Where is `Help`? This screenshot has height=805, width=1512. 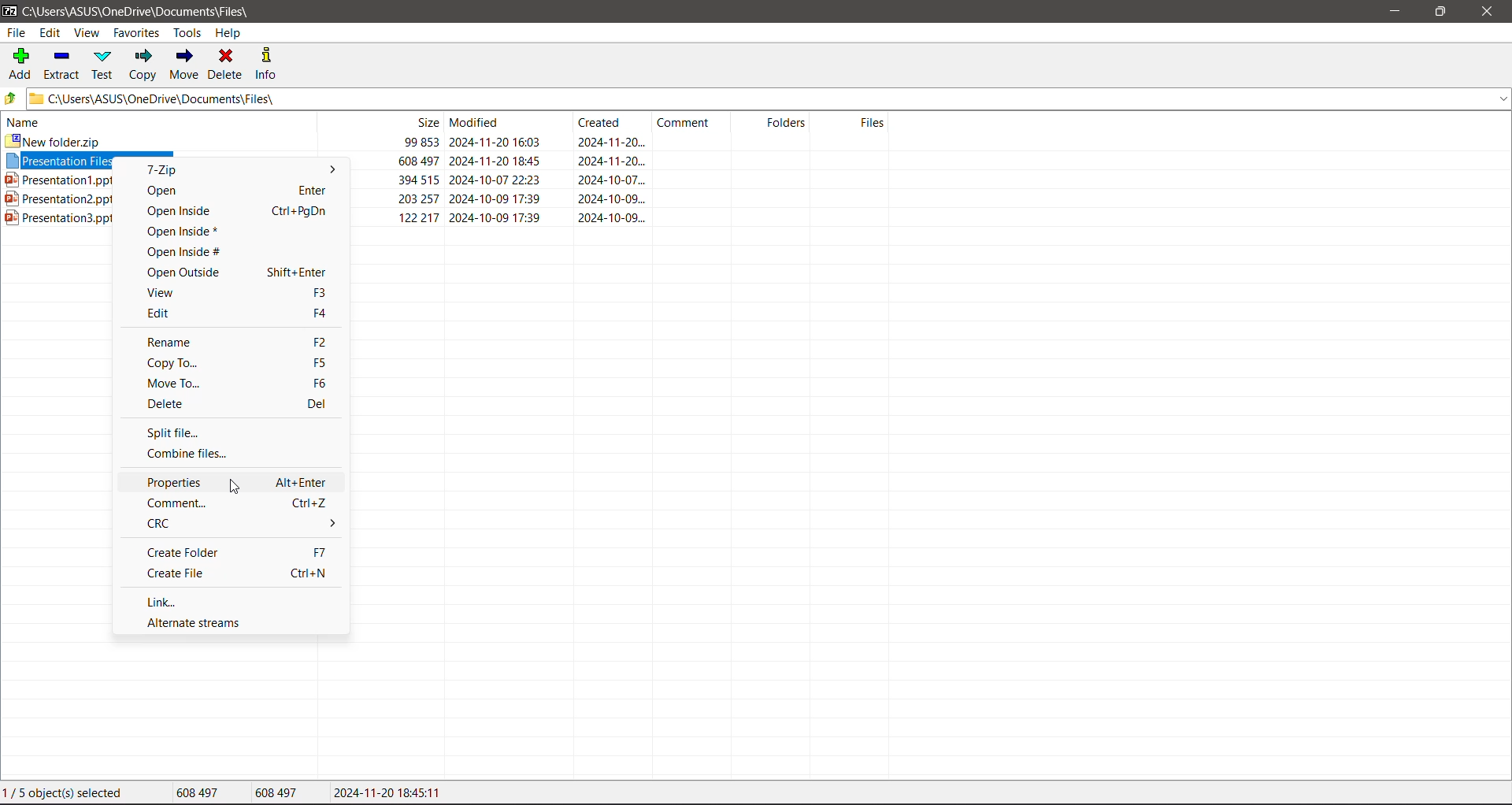
Help is located at coordinates (233, 32).